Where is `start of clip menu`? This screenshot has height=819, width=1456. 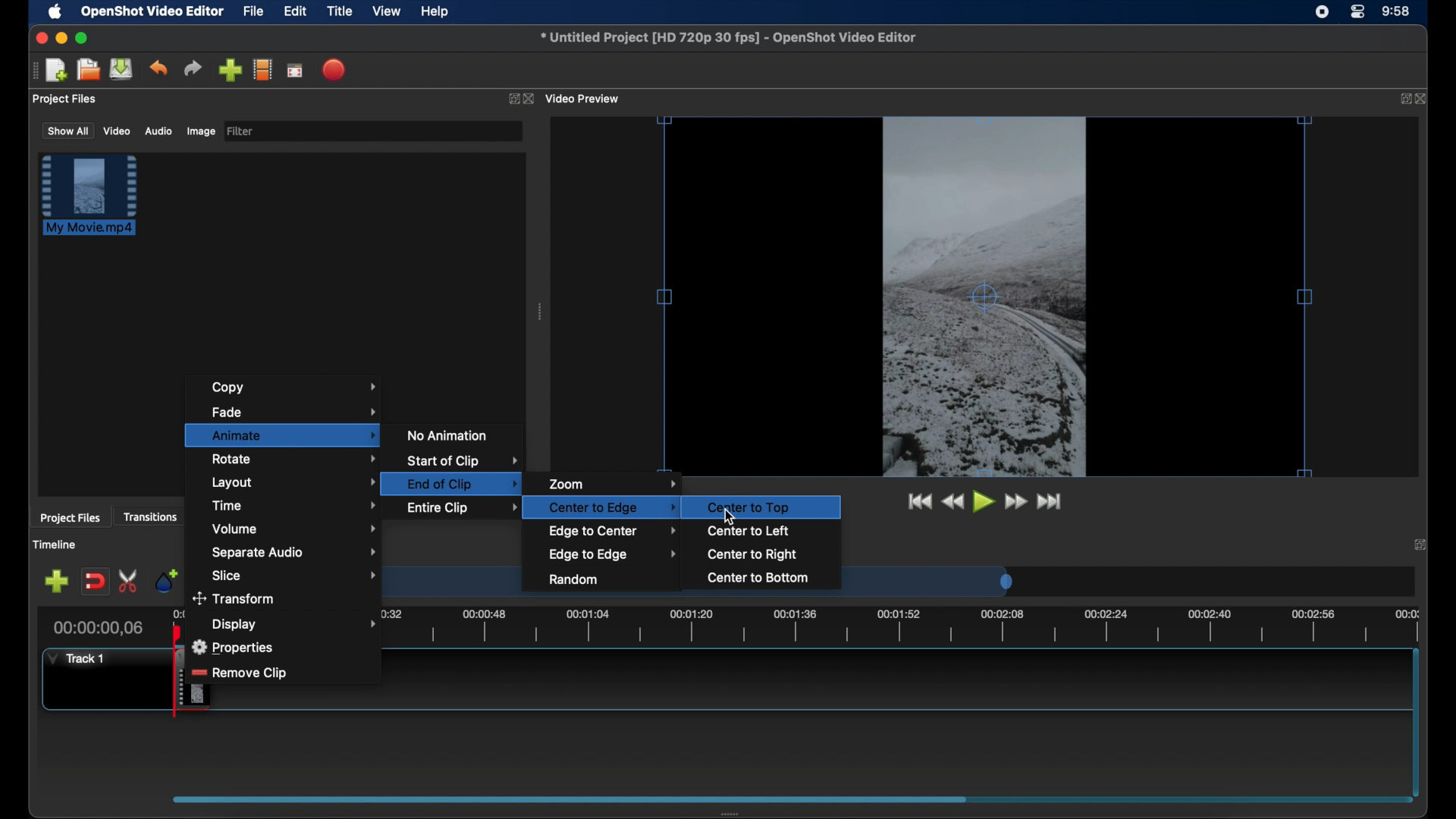
start of clip menu is located at coordinates (462, 461).